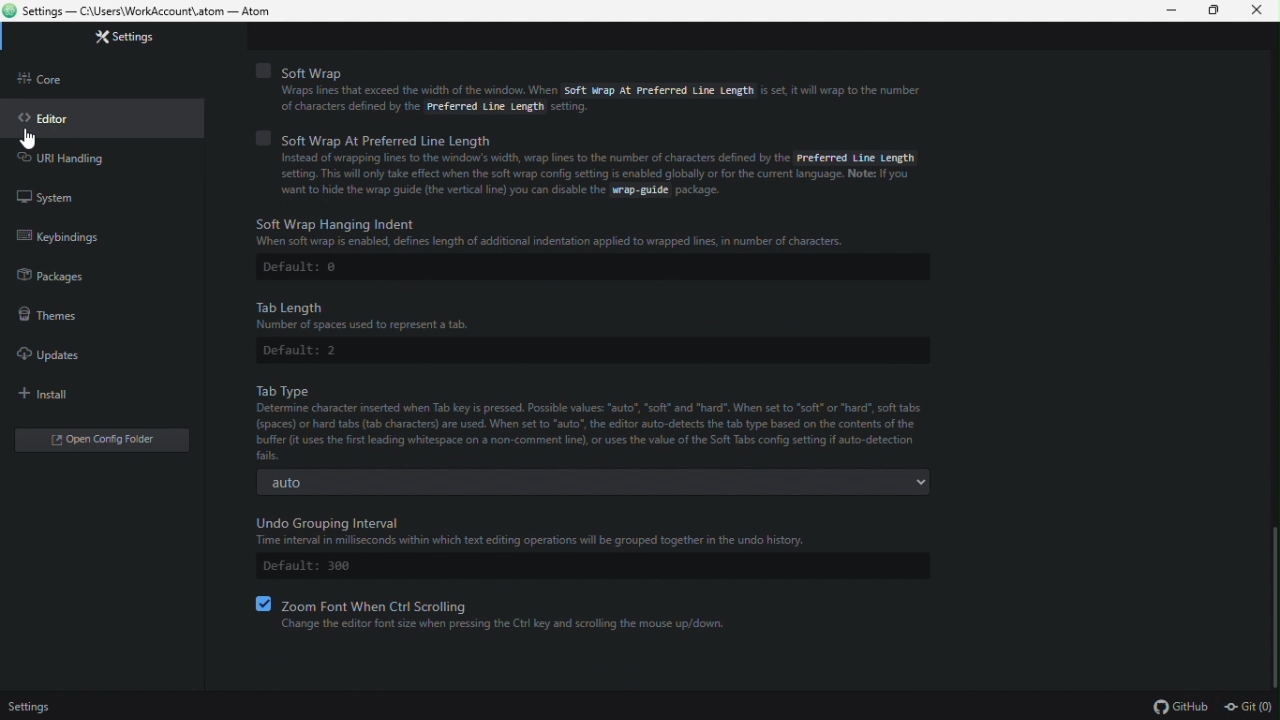  What do you see at coordinates (55, 318) in the screenshot?
I see `Themes` at bounding box center [55, 318].